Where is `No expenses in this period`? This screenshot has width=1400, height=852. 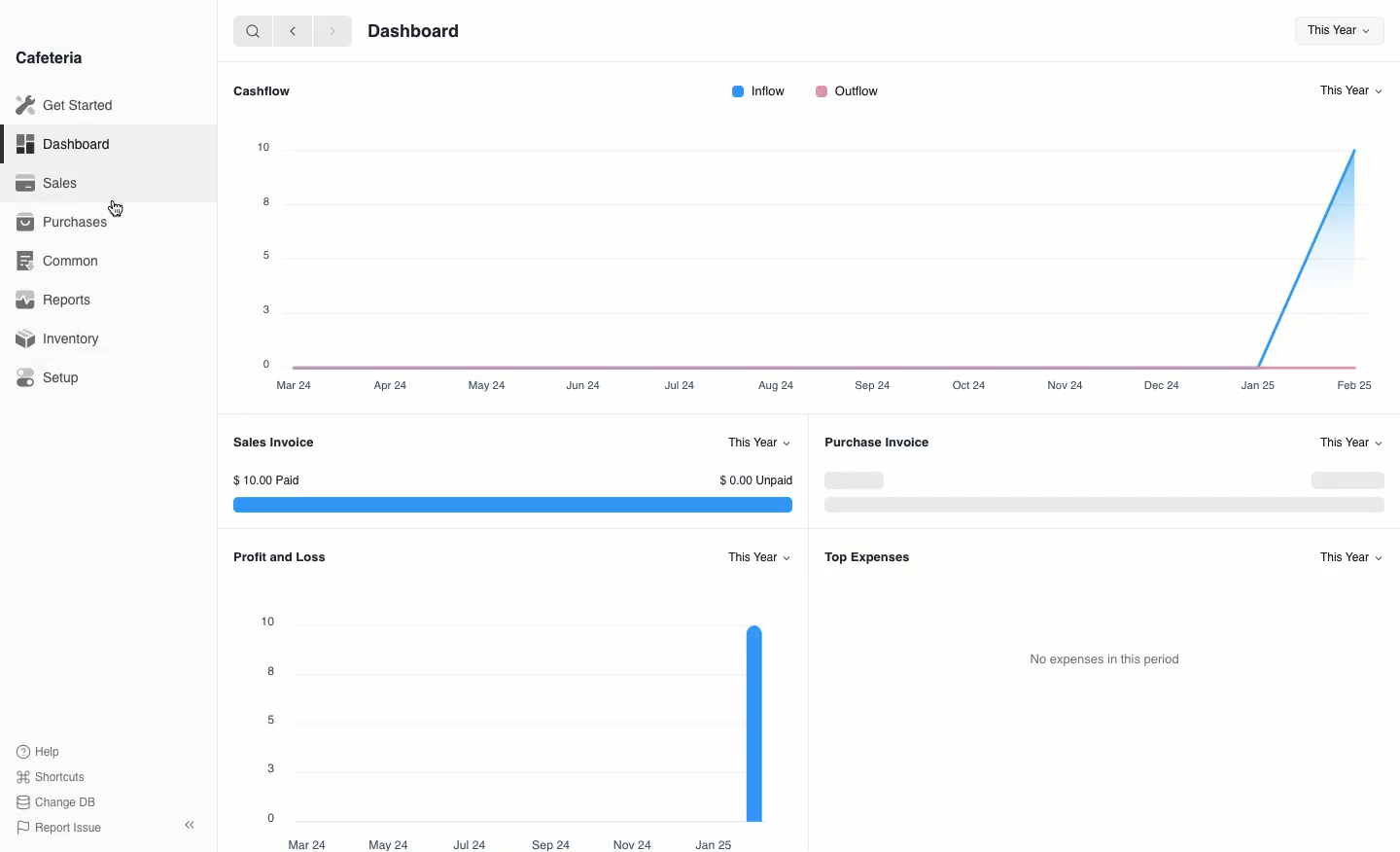
No expenses in this period is located at coordinates (1112, 659).